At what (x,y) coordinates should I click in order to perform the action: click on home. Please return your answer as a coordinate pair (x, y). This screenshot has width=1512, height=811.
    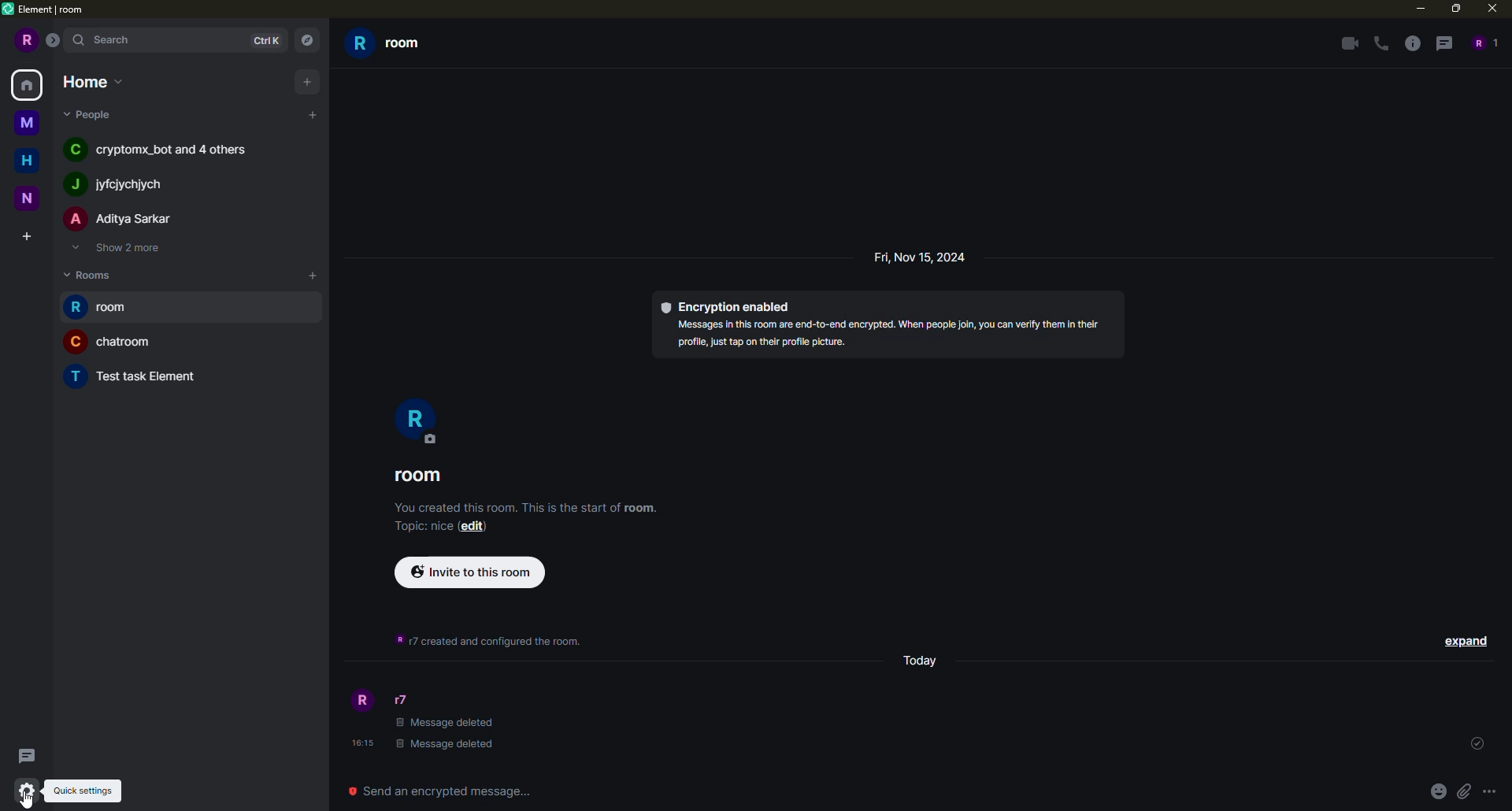
    Looking at the image, I should click on (31, 158).